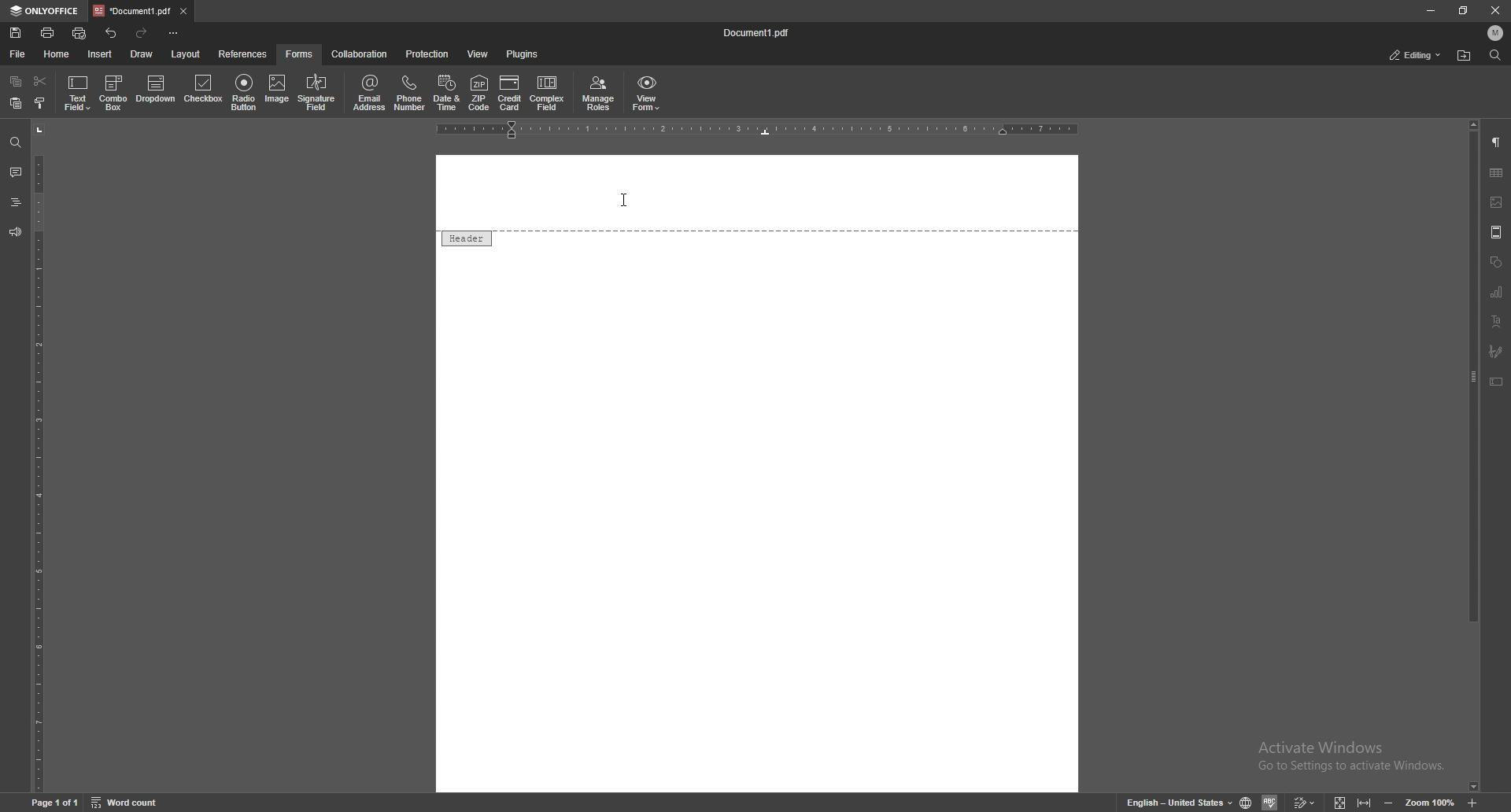 This screenshot has height=812, width=1511. Describe the element at coordinates (1497, 203) in the screenshot. I see `image` at that location.